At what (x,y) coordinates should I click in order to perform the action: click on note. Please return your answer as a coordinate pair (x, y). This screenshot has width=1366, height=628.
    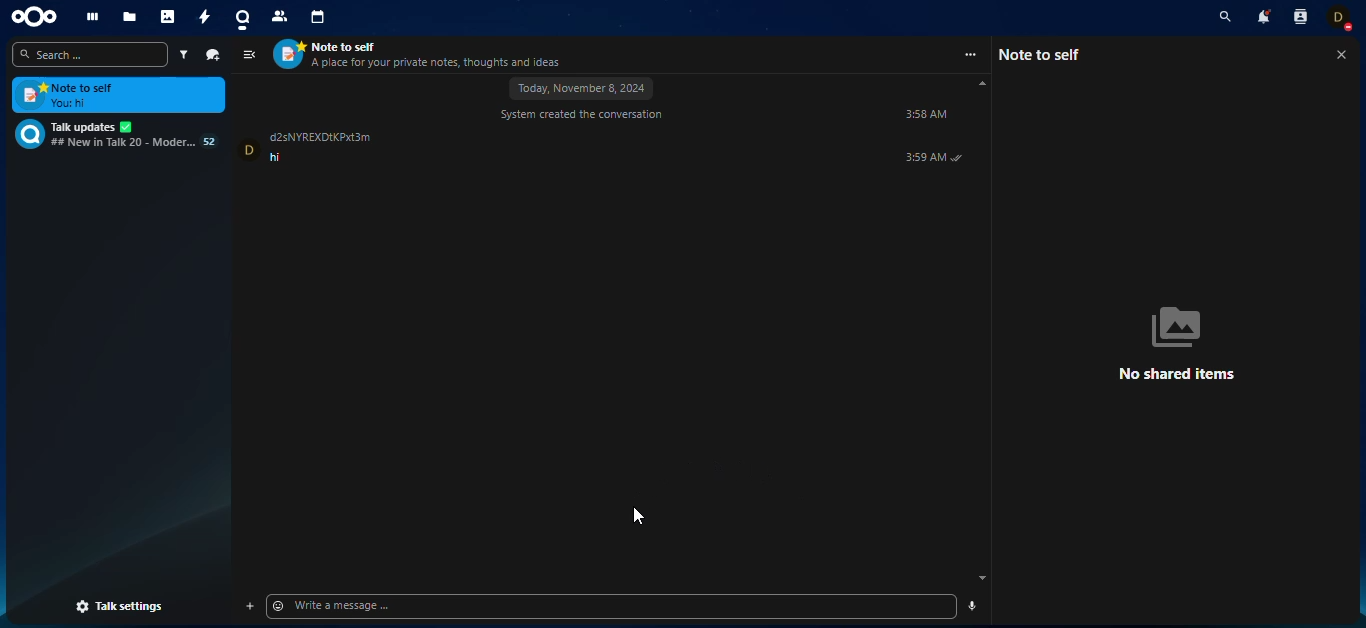
    Looking at the image, I should click on (1046, 54).